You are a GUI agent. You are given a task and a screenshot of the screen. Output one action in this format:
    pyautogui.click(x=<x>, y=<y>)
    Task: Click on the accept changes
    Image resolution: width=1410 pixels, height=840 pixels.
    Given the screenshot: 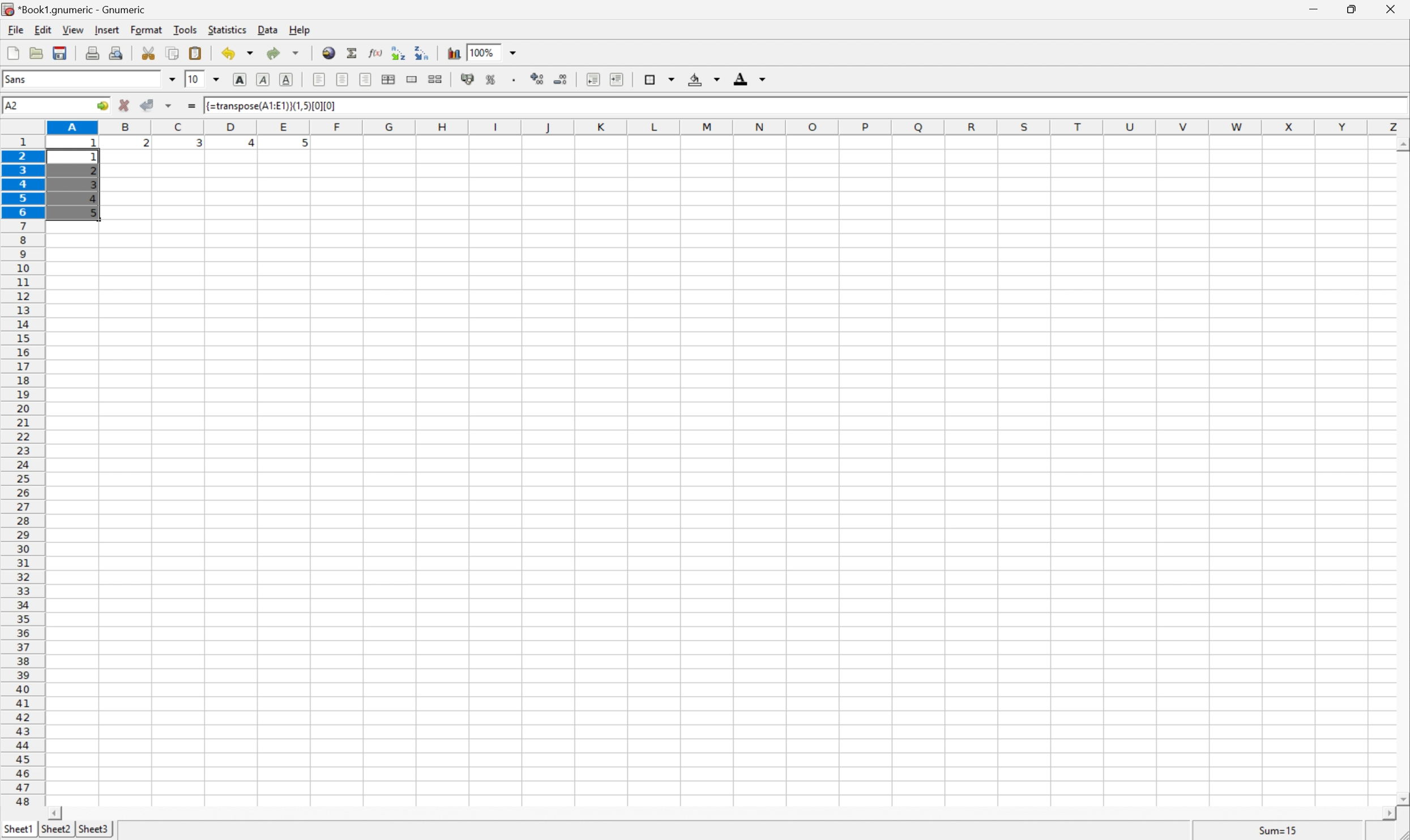 What is the action you would take?
    pyautogui.click(x=148, y=105)
    